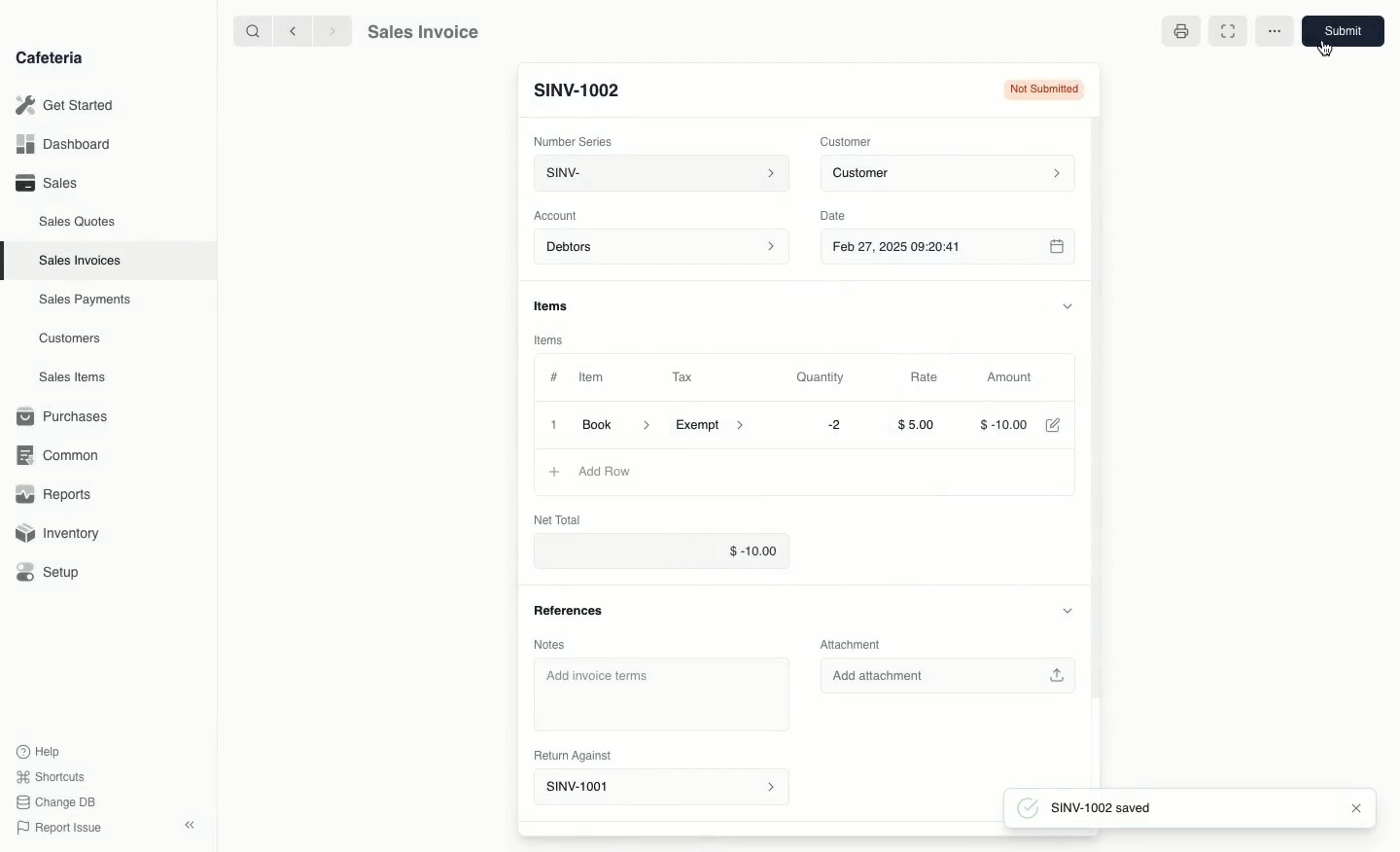  I want to click on $5.00, so click(923, 424).